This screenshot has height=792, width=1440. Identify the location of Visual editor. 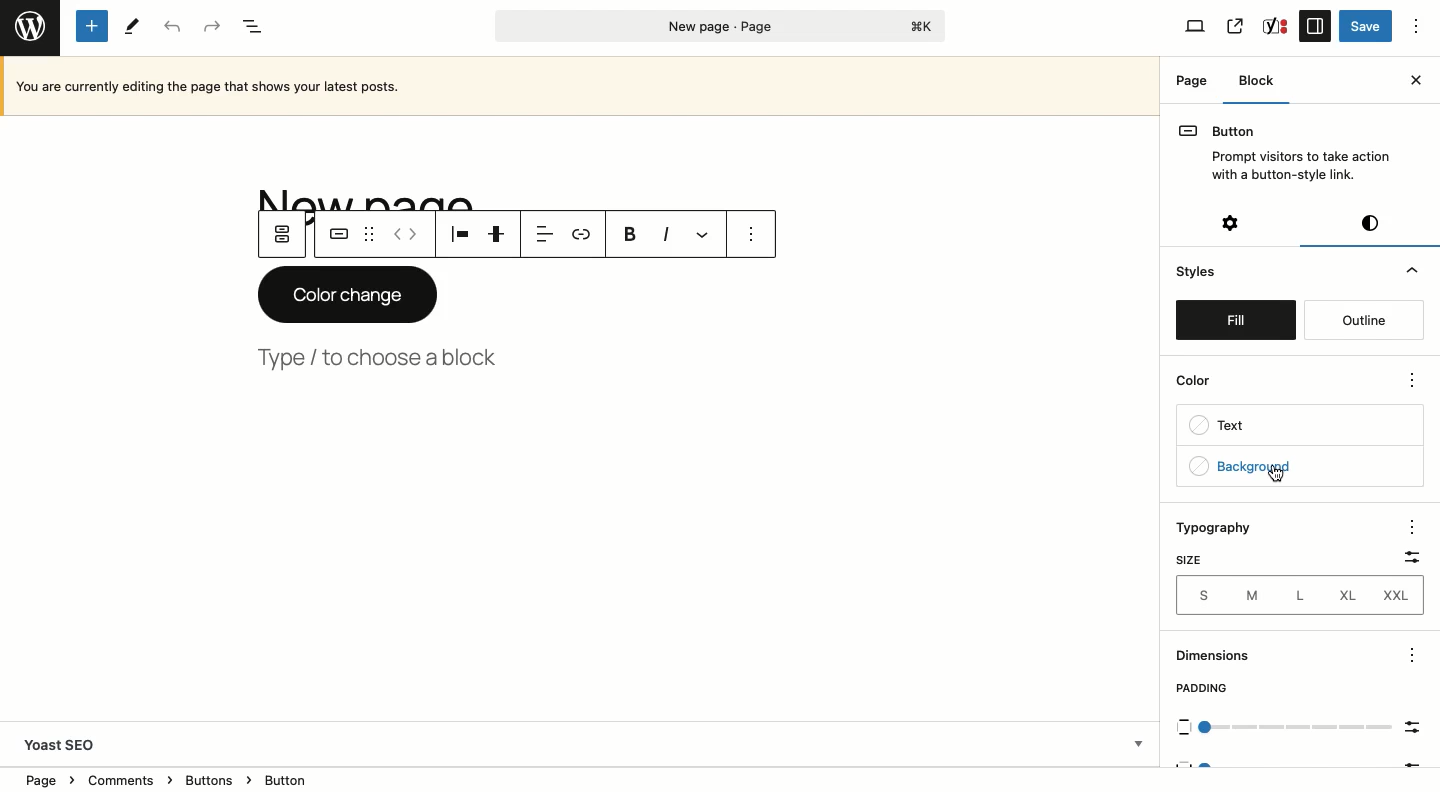
(1374, 221).